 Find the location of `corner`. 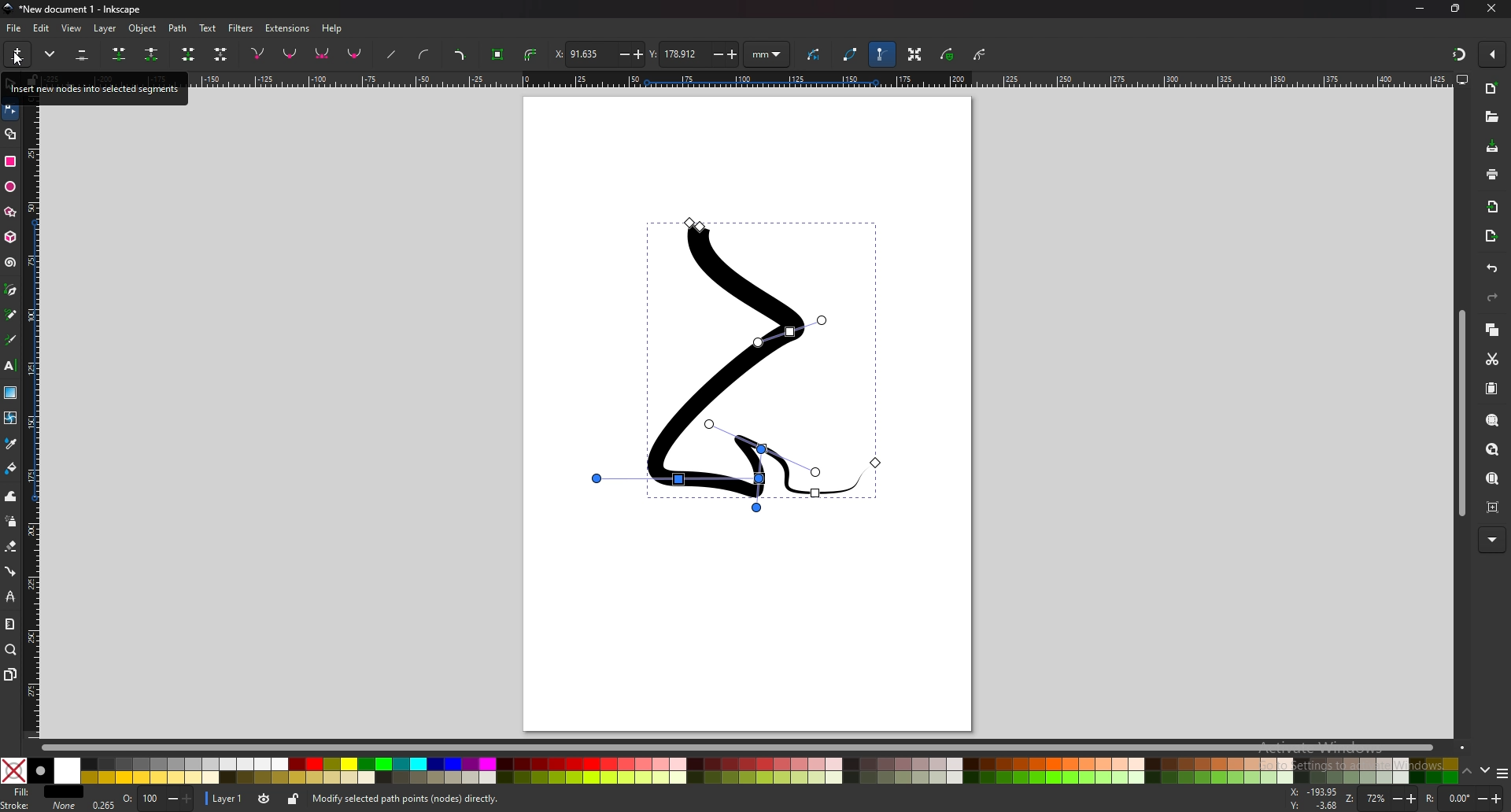

corner is located at coordinates (258, 54).